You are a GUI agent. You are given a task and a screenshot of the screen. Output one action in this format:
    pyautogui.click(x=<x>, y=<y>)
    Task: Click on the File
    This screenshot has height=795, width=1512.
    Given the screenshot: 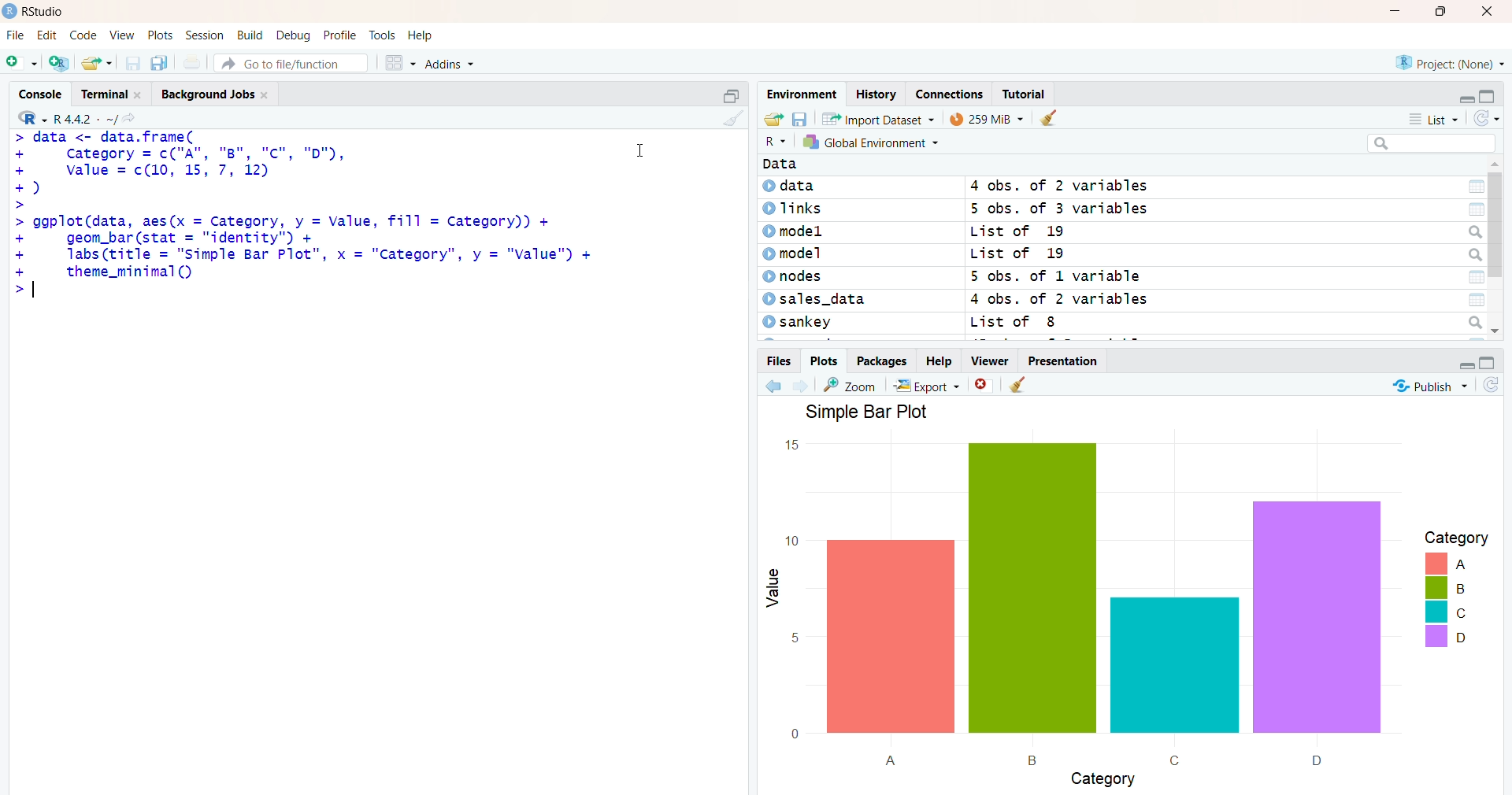 What is the action you would take?
    pyautogui.click(x=16, y=35)
    